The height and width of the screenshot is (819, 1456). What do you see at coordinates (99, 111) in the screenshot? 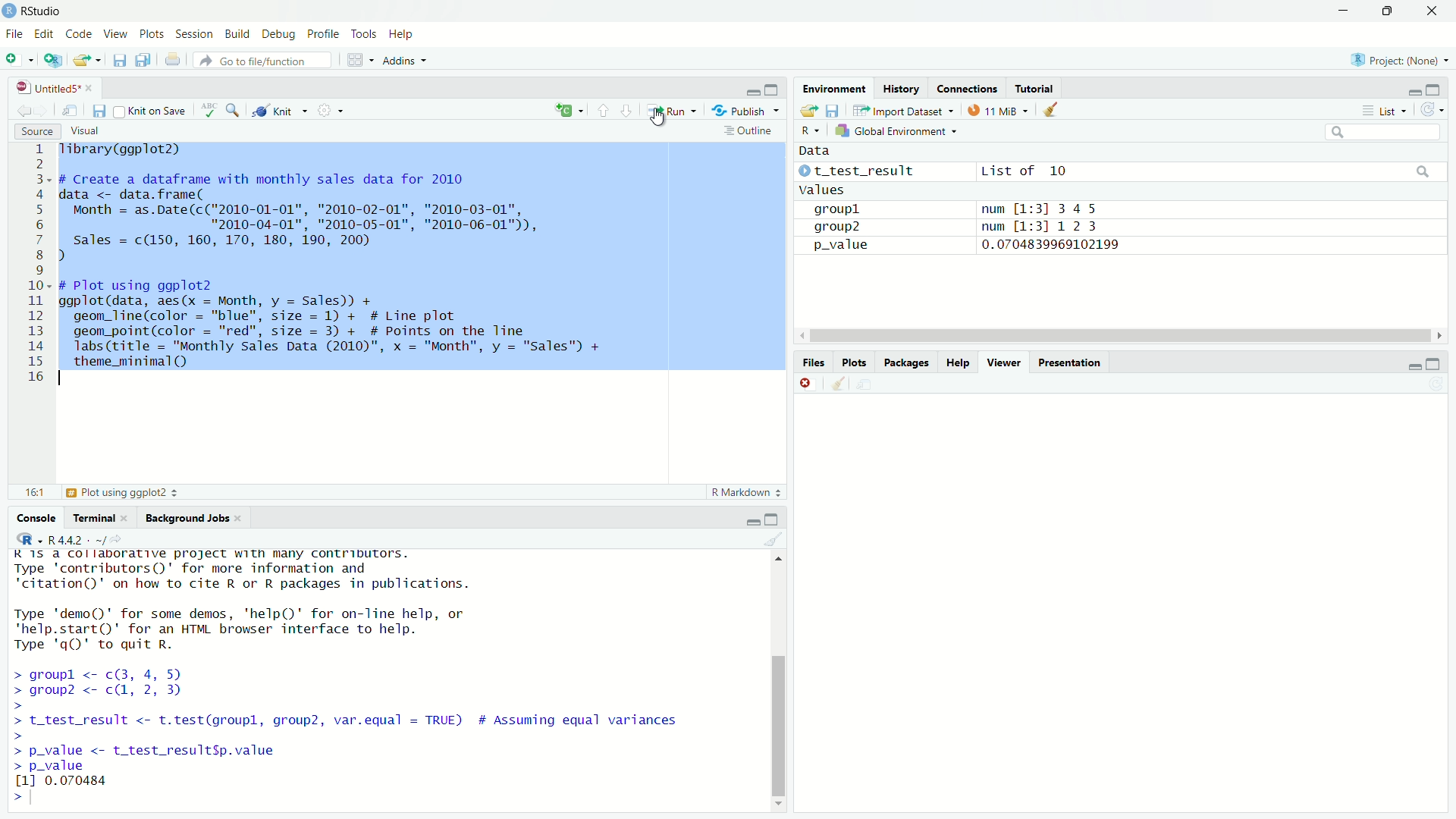
I see `save` at bounding box center [99, 111].